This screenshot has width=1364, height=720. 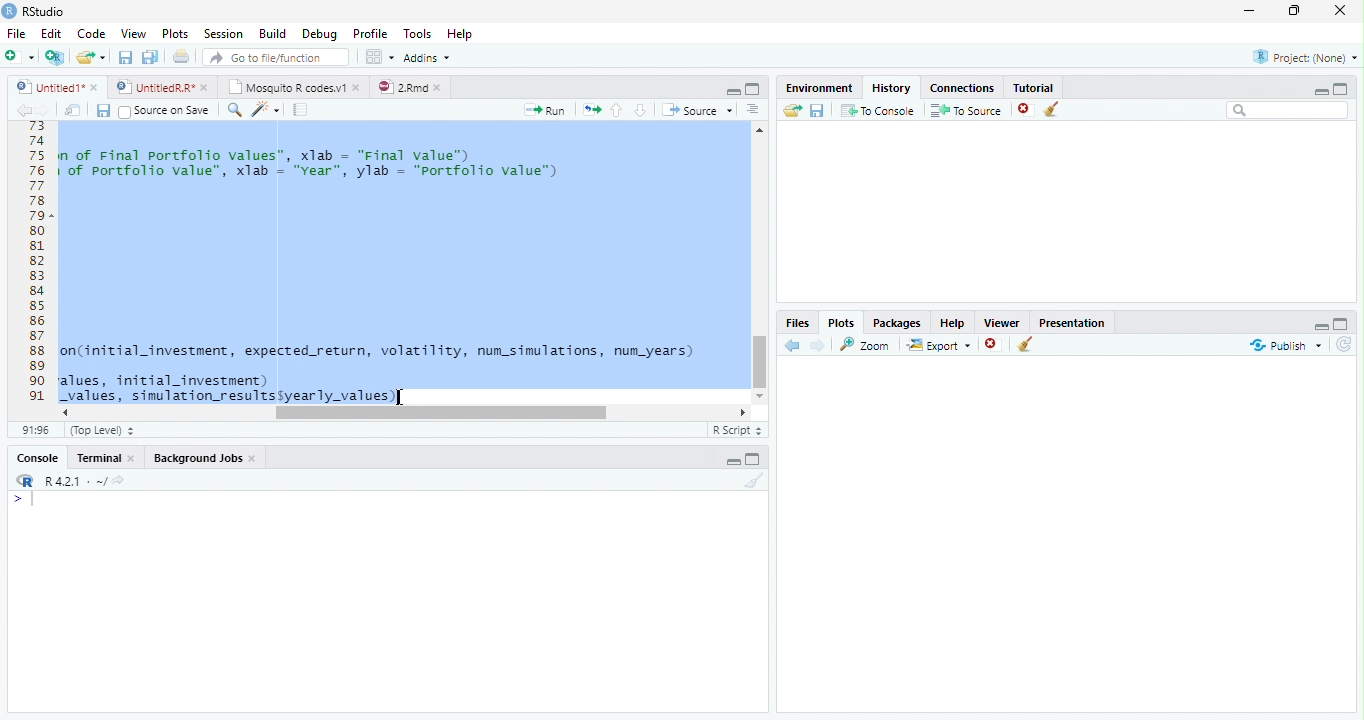 What do you see at coordinates (369, 33) in the screenshot?
I see `Profile` at bounding box center [369, 33].